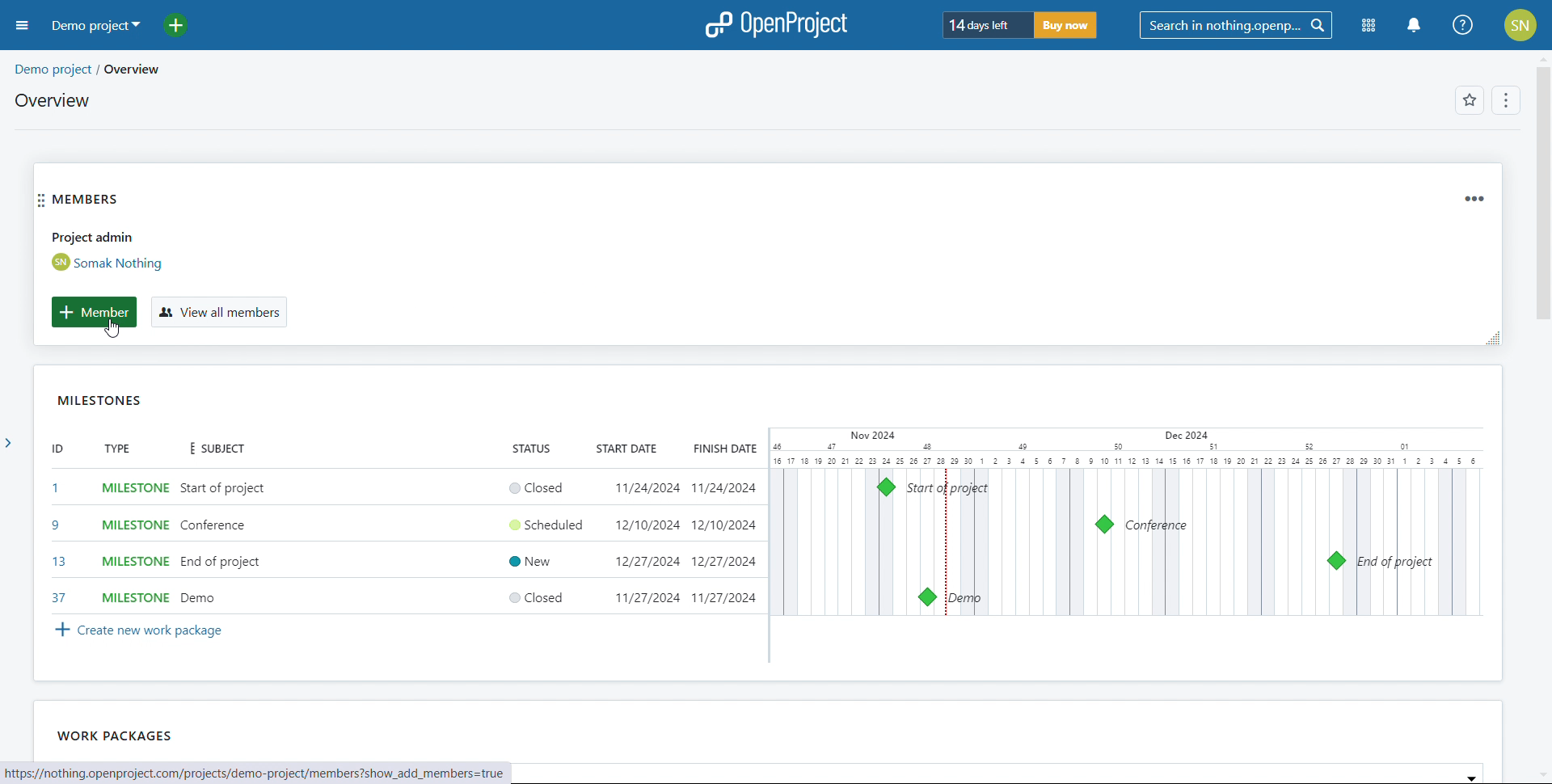 The width and height of the screenshot is (1552, 784). Describe the element at coordinates (91, 199) in the screenshot. I see `members widgets` at that location.